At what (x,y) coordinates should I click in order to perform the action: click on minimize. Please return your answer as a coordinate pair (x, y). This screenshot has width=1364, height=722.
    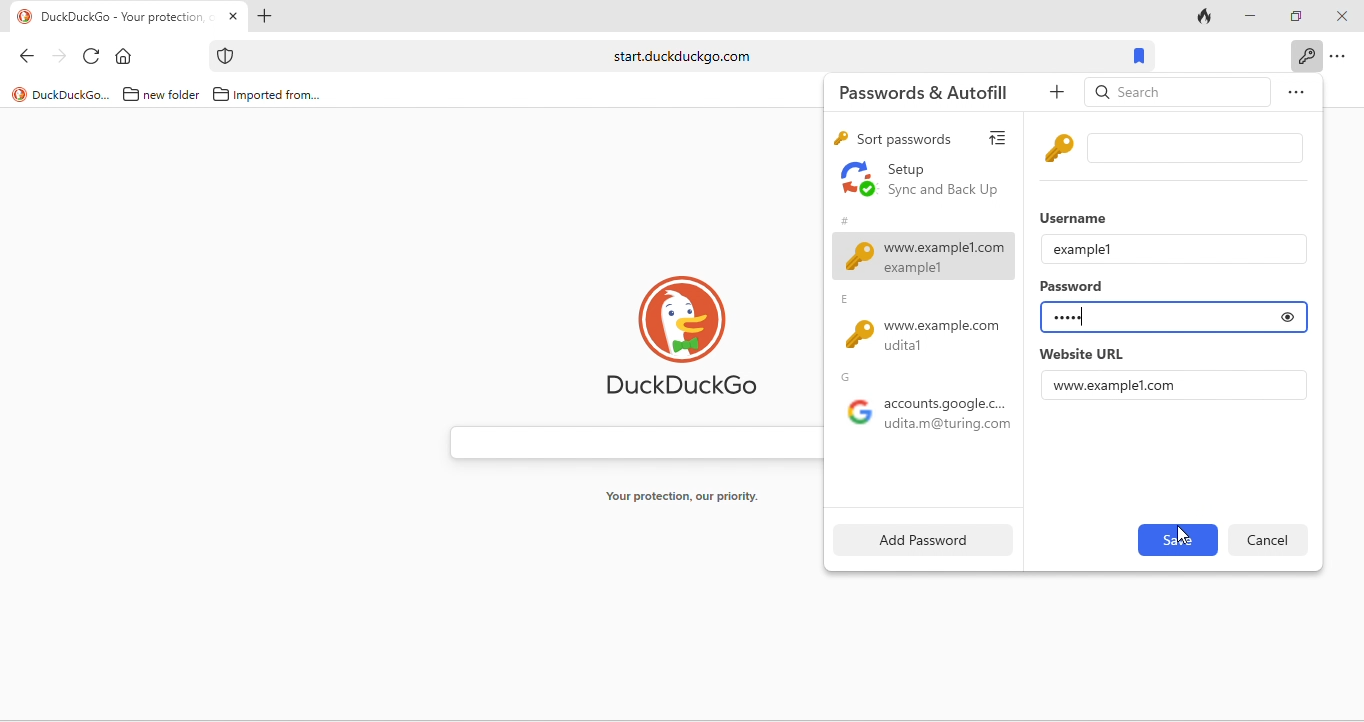
    Looking at the image, I should click on (1247, 14).